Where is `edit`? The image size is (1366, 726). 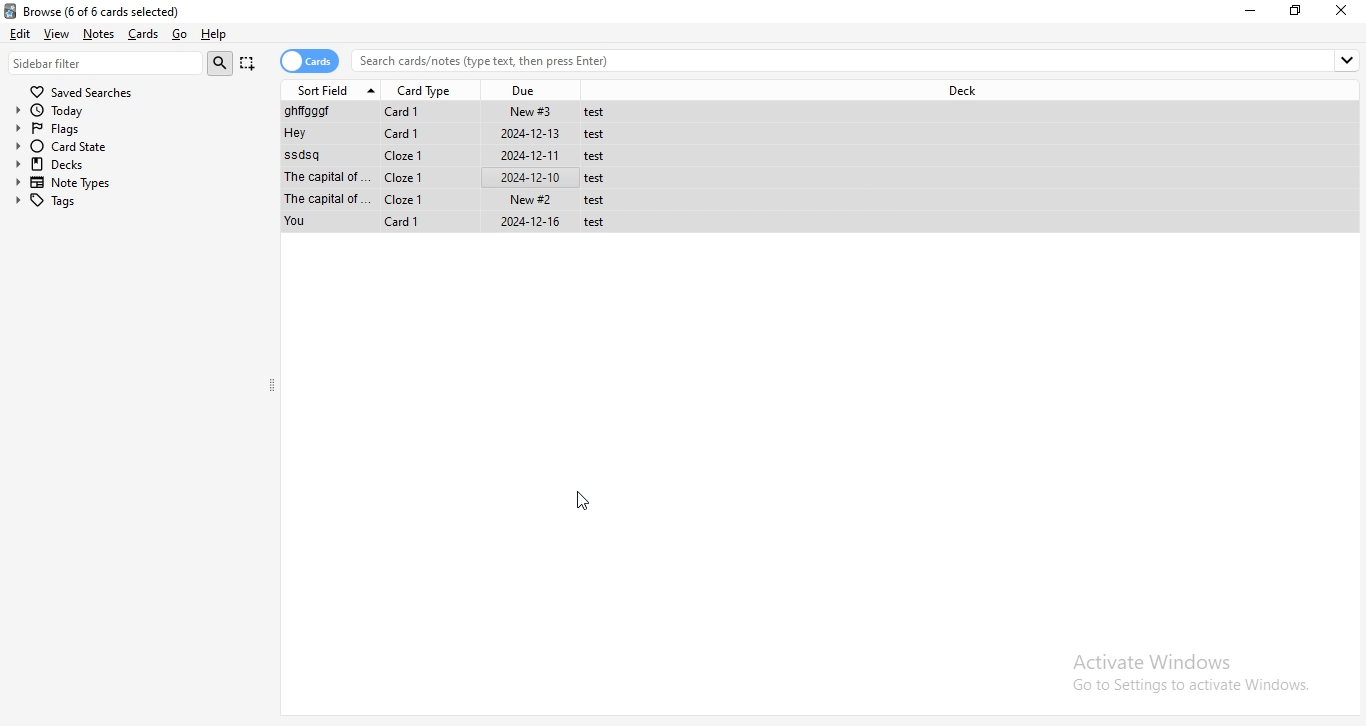 edit is located at coordinates (21, 35).